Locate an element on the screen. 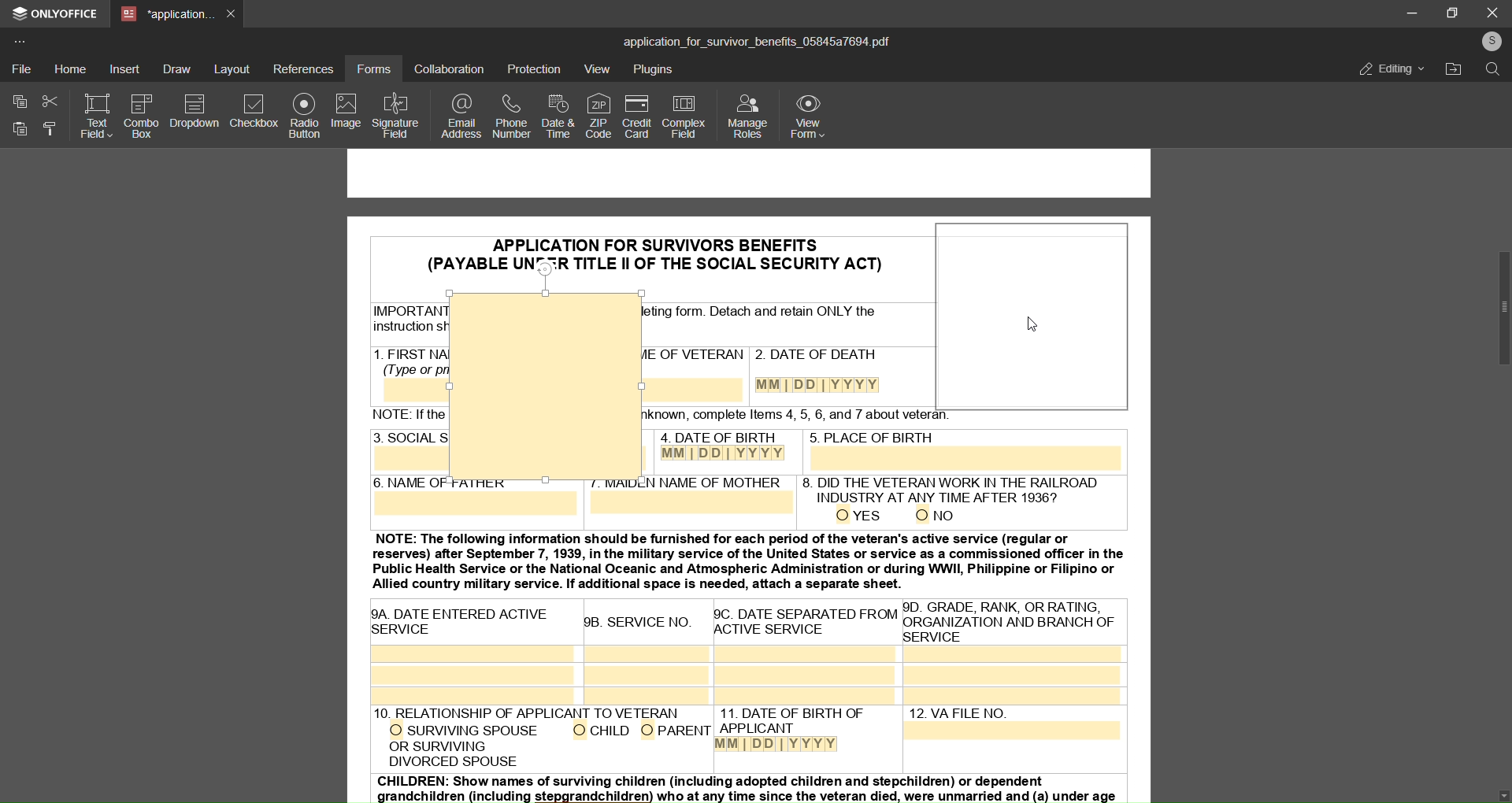 The image size is (1512, 803). up is located at coordinates (1505, 94).